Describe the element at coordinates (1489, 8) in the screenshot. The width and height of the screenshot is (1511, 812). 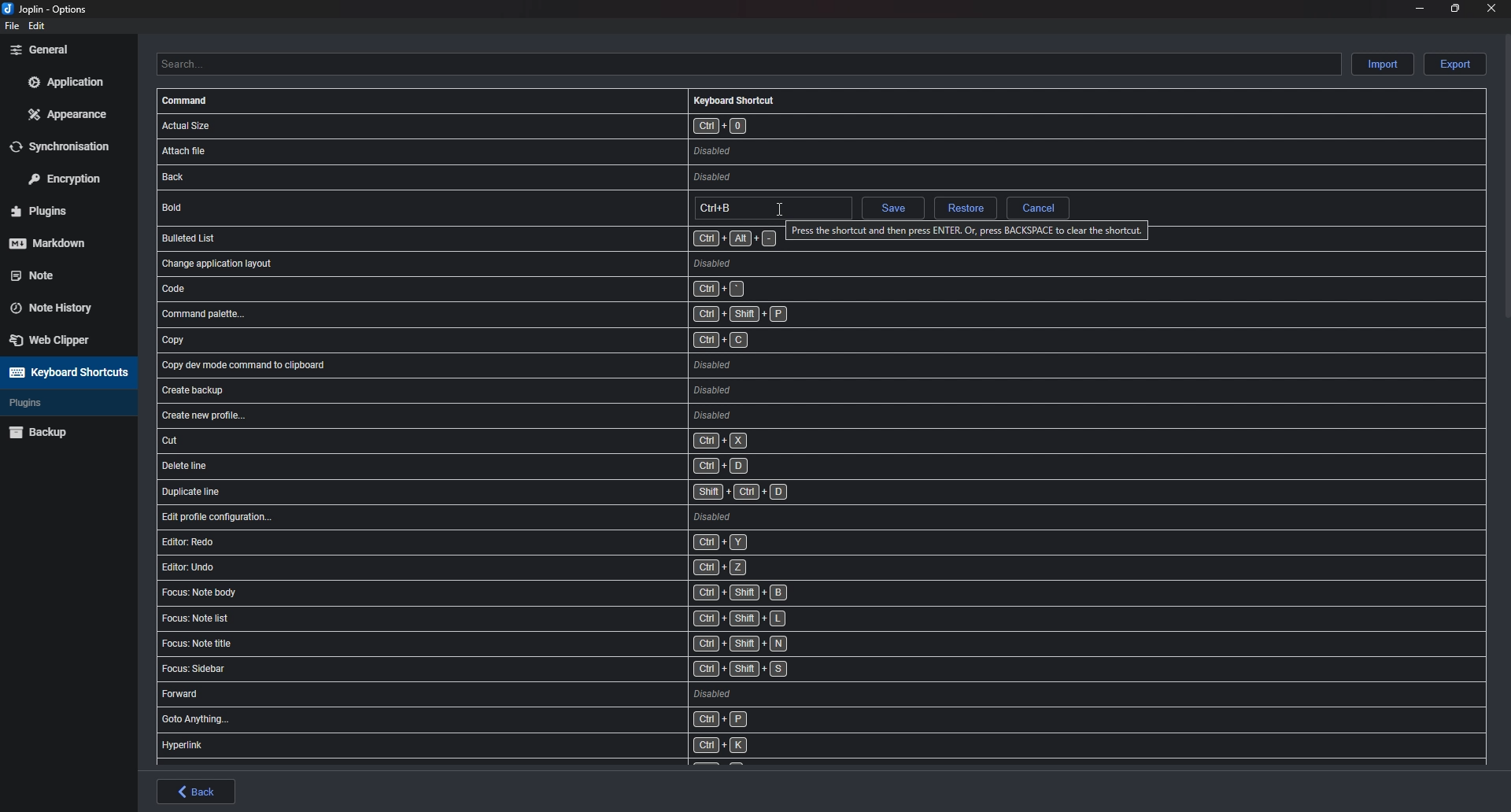
I see `close` at that location.